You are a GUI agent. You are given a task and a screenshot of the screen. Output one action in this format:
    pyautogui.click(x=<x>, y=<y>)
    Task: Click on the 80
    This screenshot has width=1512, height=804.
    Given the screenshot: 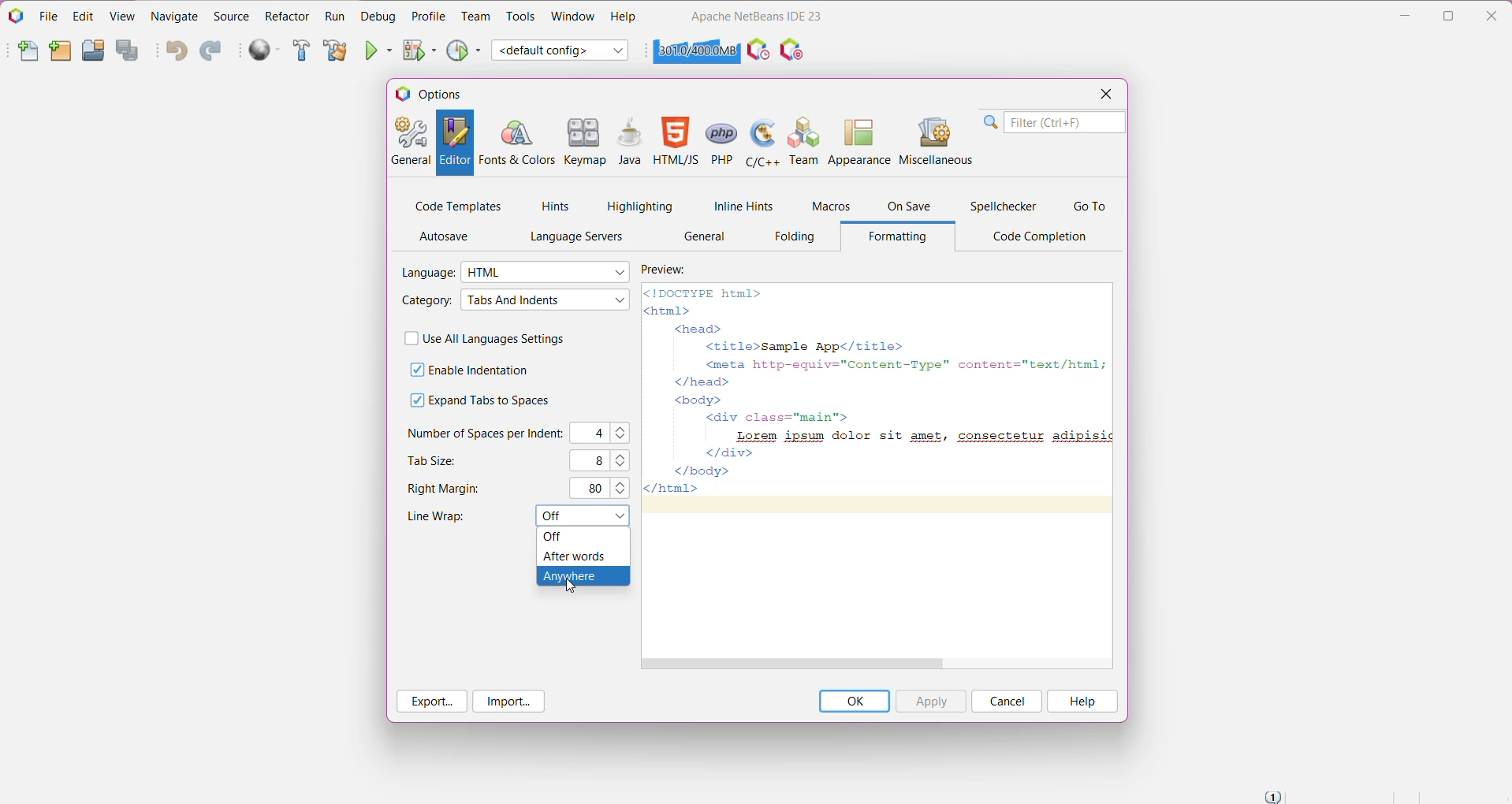 What is the action you would take?
    pyautogui.click(x=593, y=488)
    